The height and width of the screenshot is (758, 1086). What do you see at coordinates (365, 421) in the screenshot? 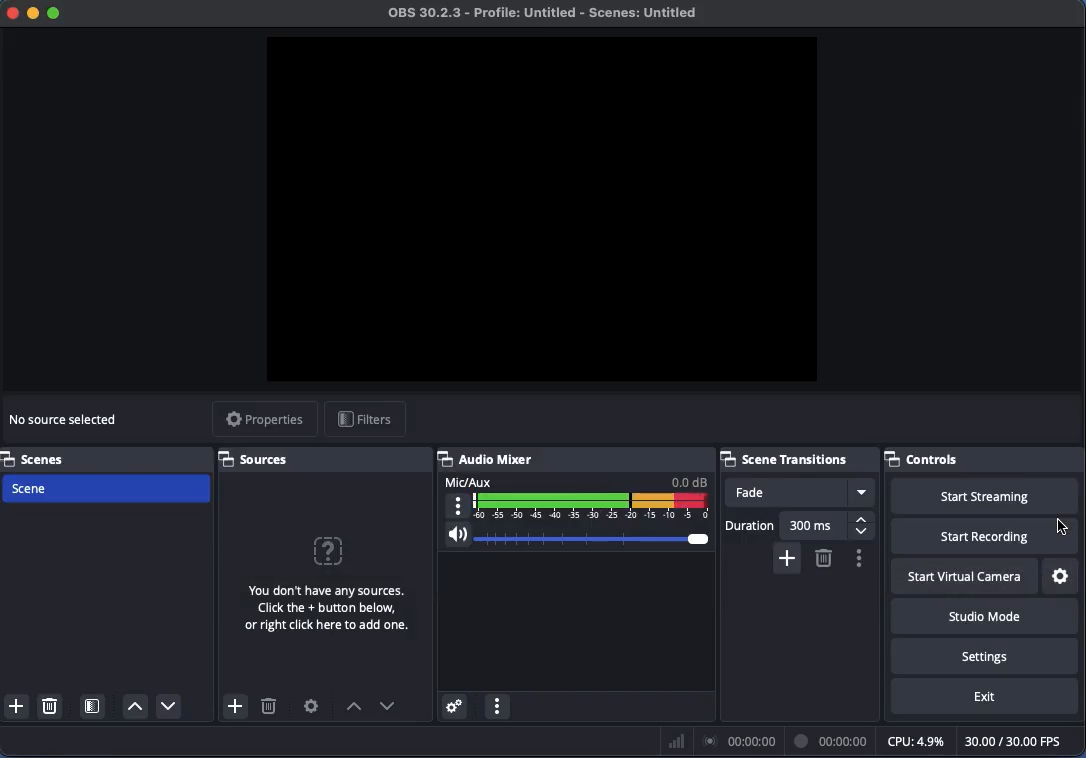
I see `Filters` at bounding box center [365, 421].